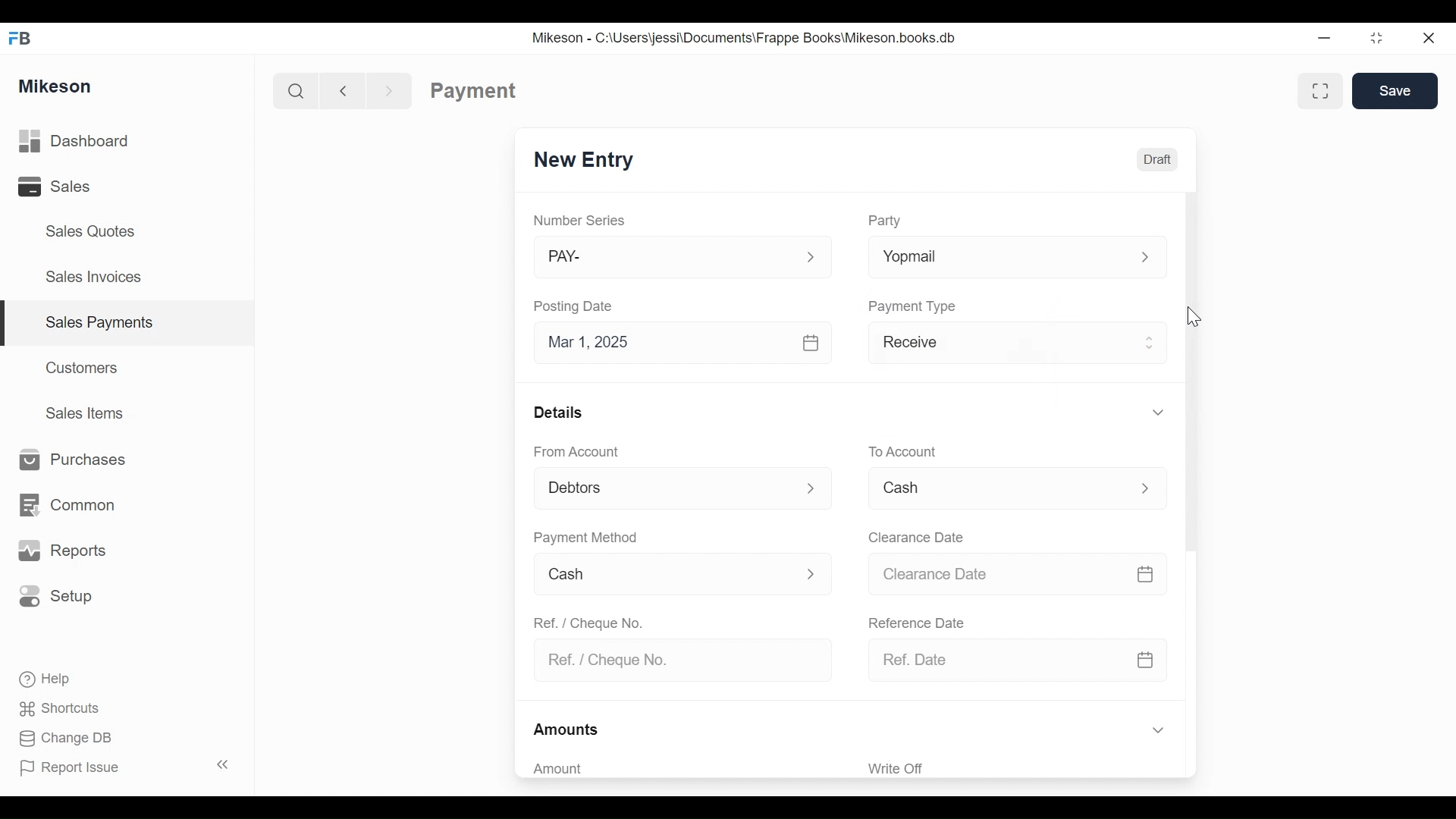 The width and height of the screenshot is (1456, 819). I want to click on Change DB, so click(70, 739).